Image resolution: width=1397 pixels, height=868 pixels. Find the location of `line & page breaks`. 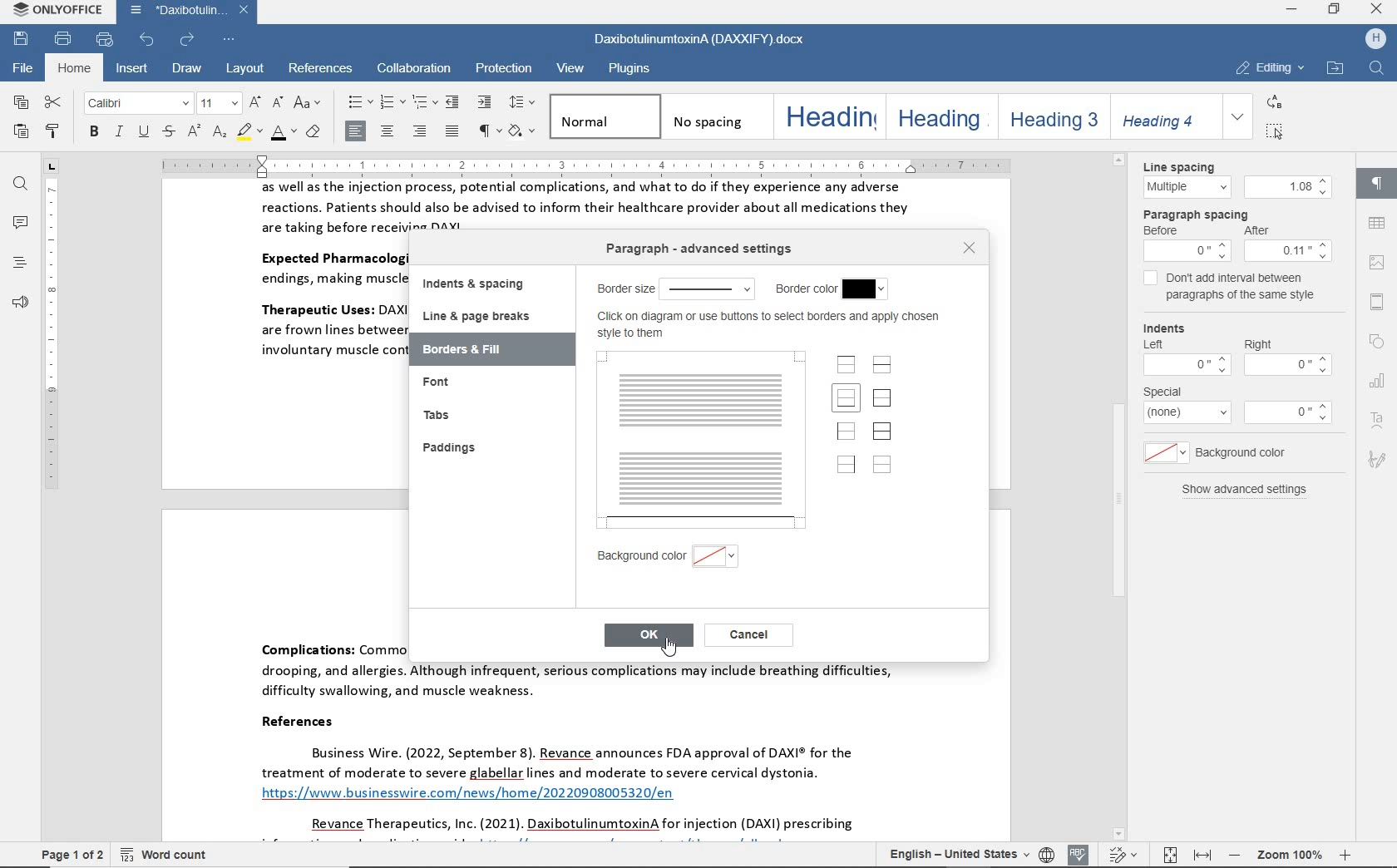

line & page breaks is located at coordinates (486, 318).